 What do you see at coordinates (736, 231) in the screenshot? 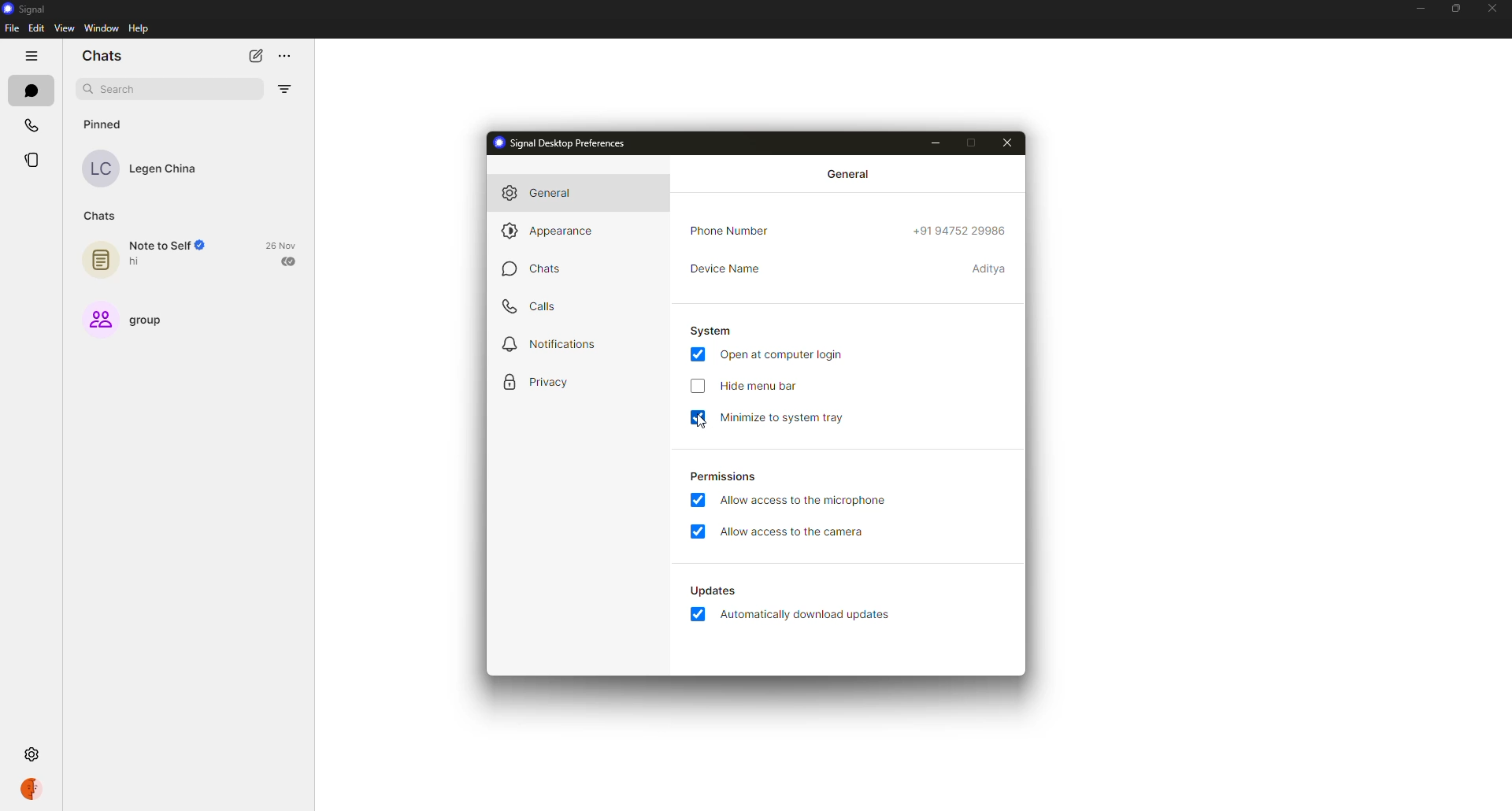
I see `phone number` at bounding box center [736, 231].